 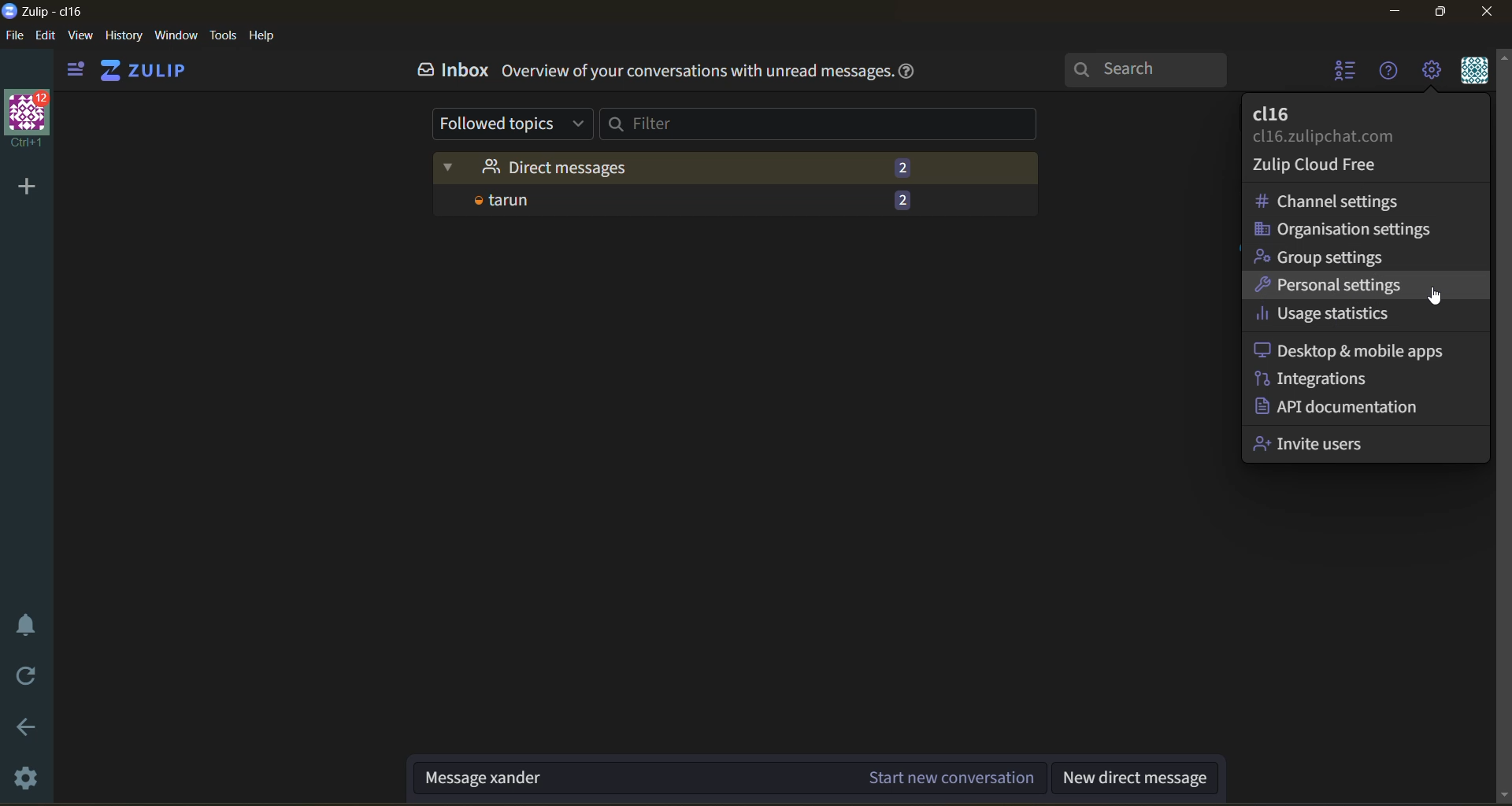 I want to click on integrations, so click(x=1310, y=379).